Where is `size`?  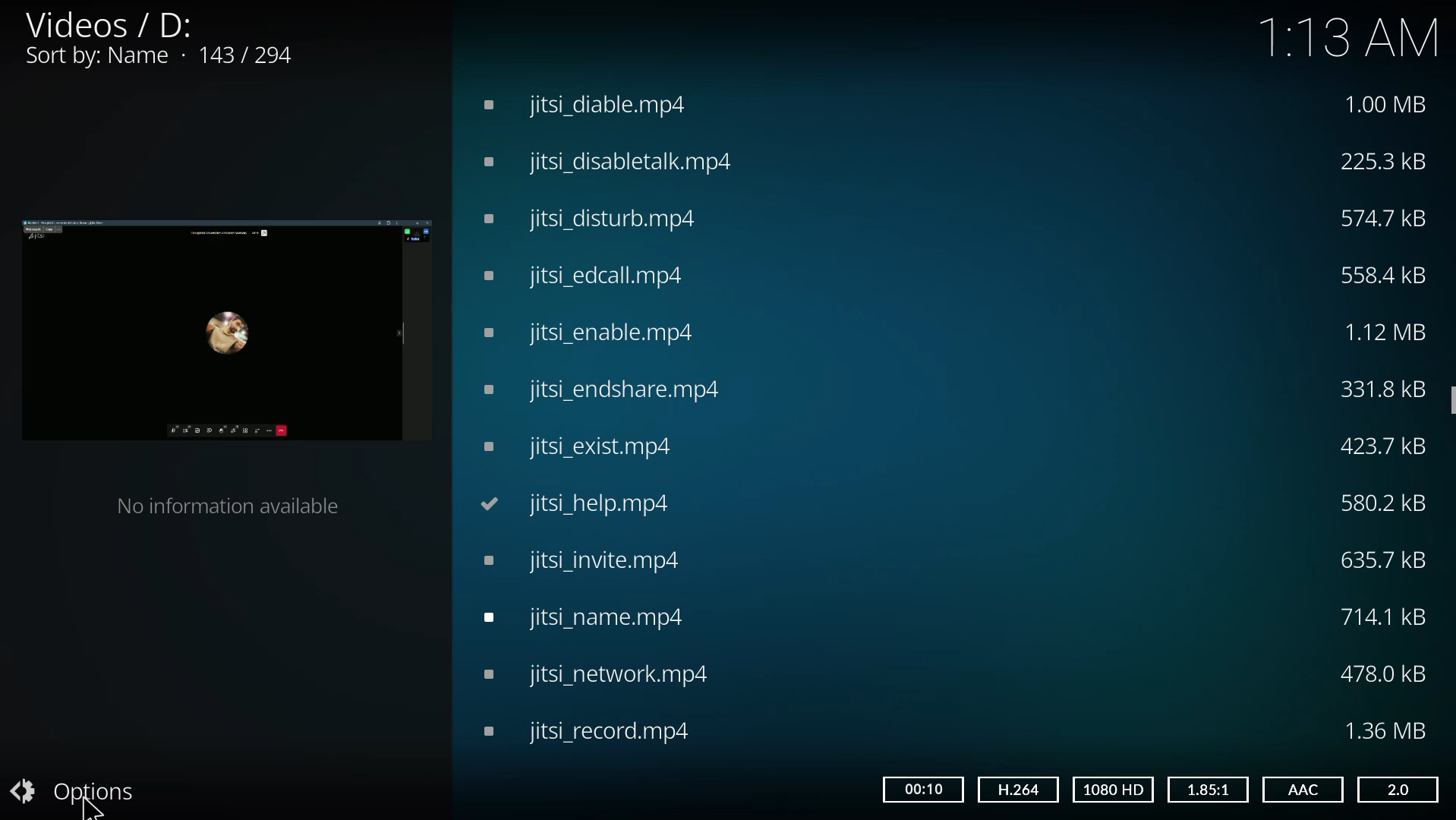
size is located at coordinates (1376, 388).